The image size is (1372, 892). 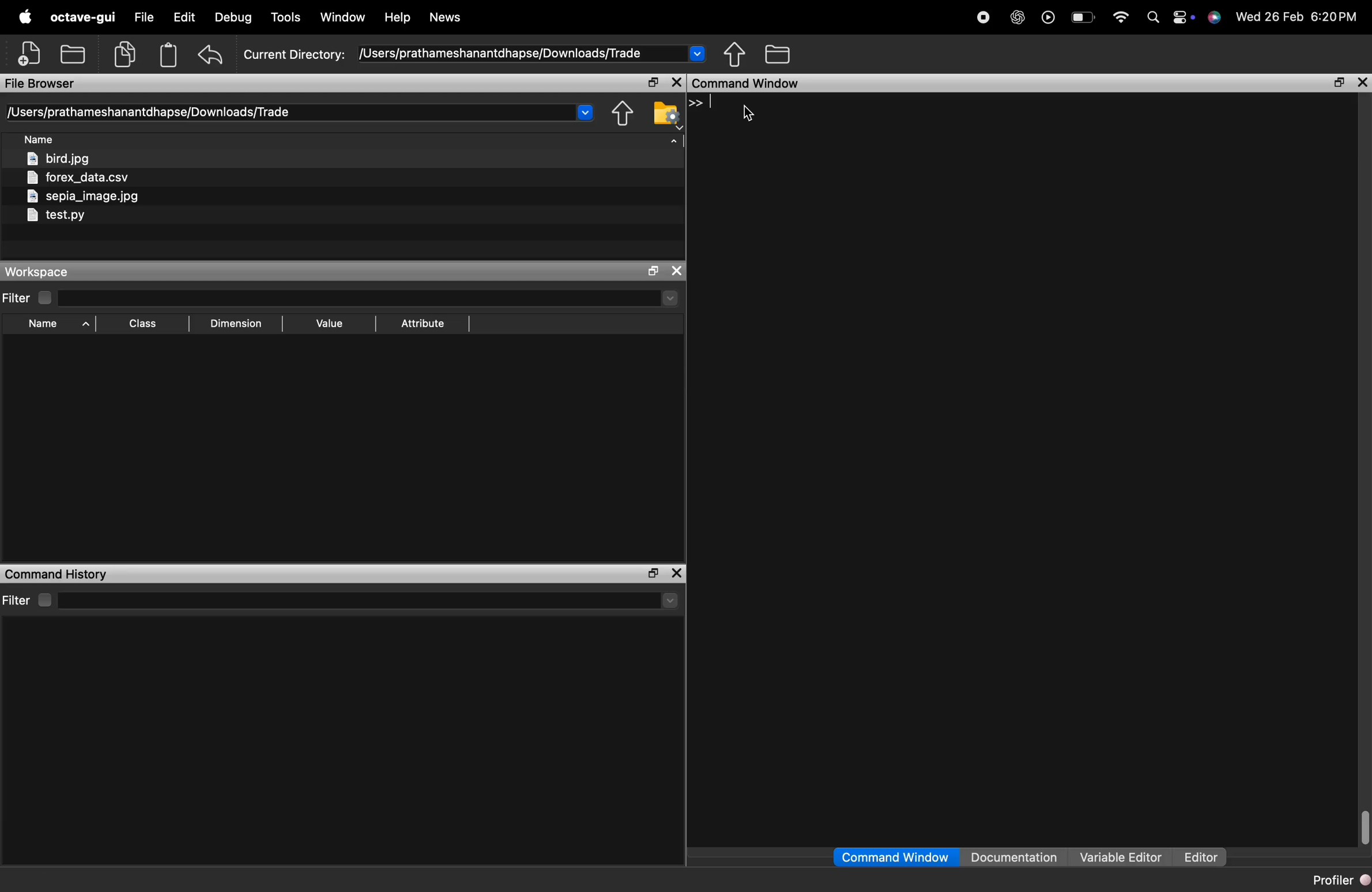 I want to click on /Users/prathameshanantdhapse/Downloads/Trade, so click(x=499, y=54).